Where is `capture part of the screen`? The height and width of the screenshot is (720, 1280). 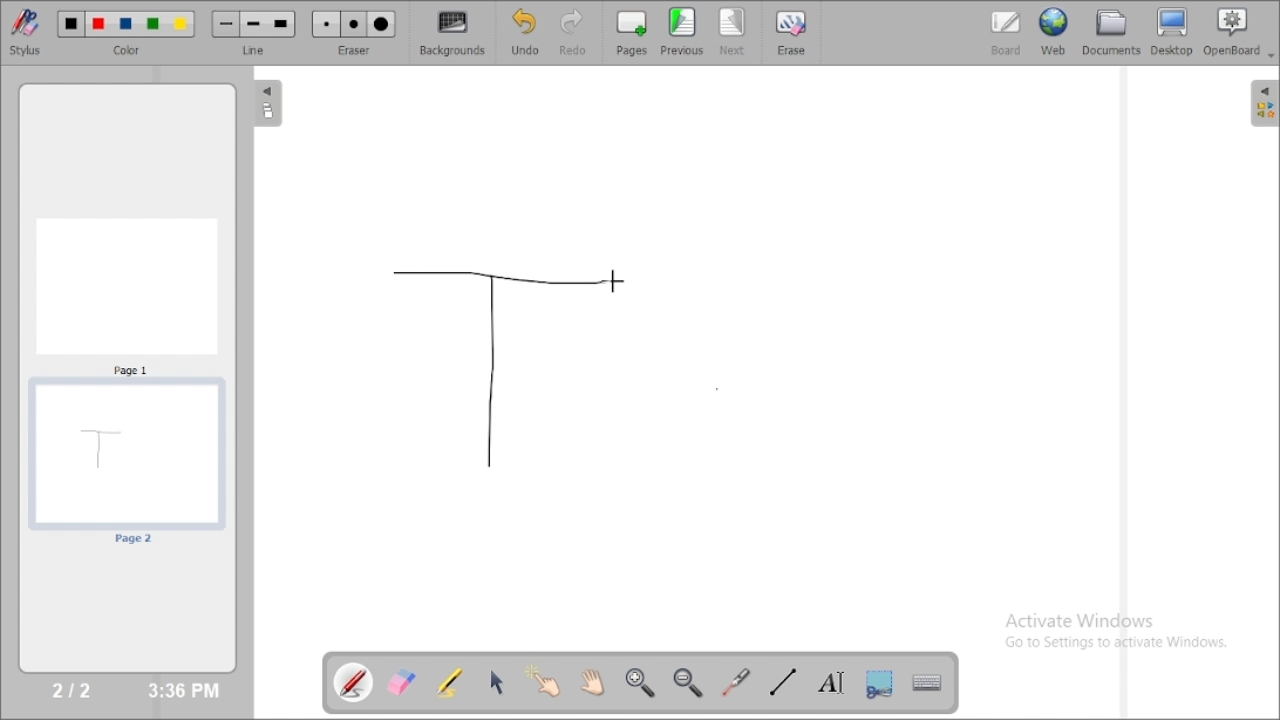 capture part of the screen is located at coordinates (879, 683).